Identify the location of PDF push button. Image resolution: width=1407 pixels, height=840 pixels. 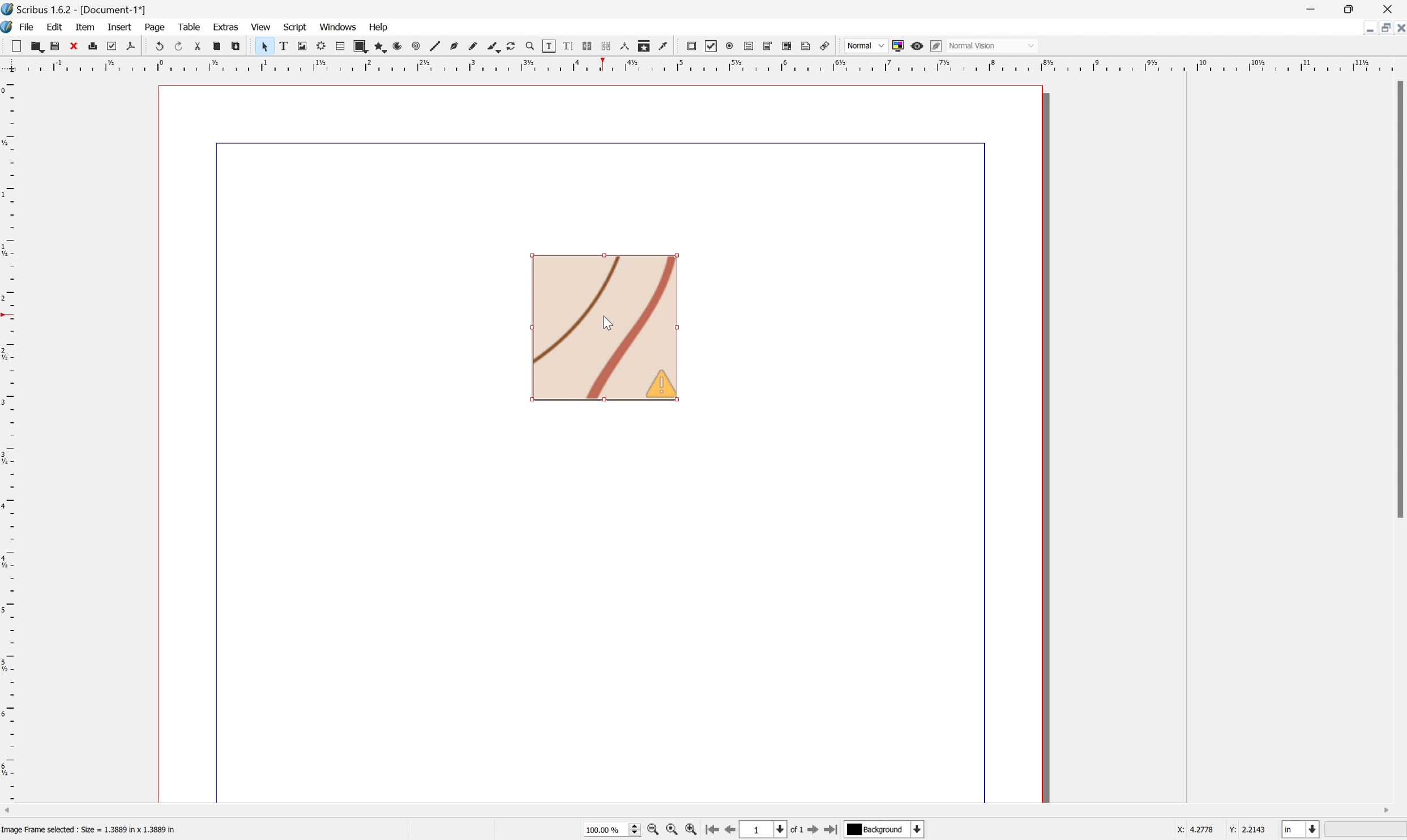
(693, 47).